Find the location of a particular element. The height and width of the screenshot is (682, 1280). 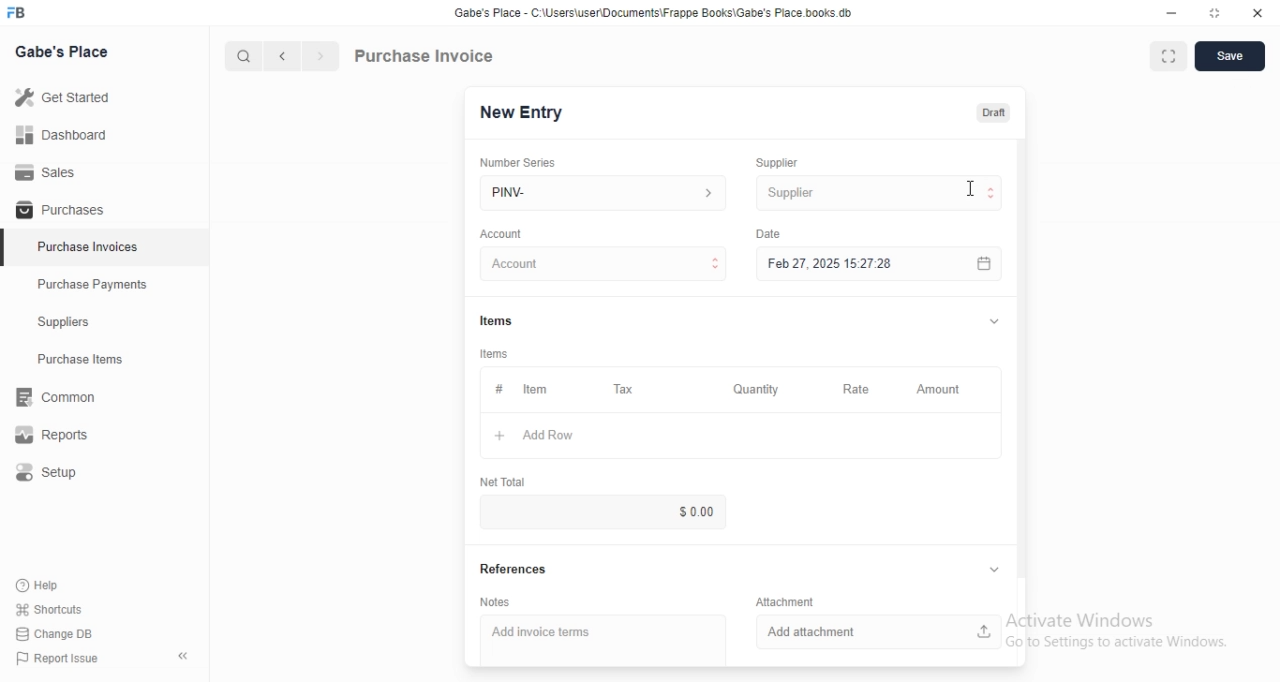

Report Issue is located at coordinates (58, 658).